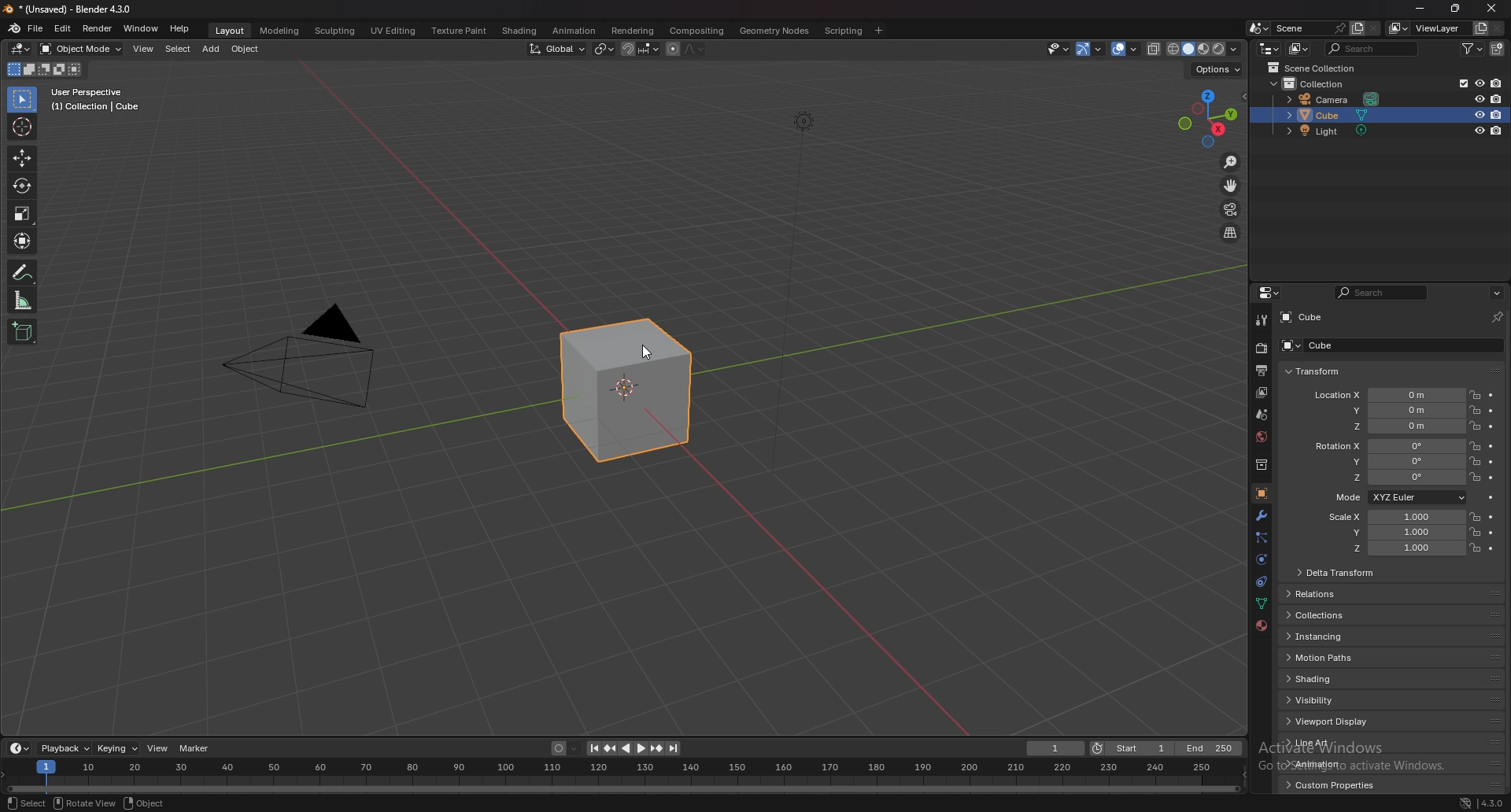 The width and height of the screenshot is (1511, 812). Describe the element at coordinates (304, 369) in the screenshot. I see `pyramid` at that location.